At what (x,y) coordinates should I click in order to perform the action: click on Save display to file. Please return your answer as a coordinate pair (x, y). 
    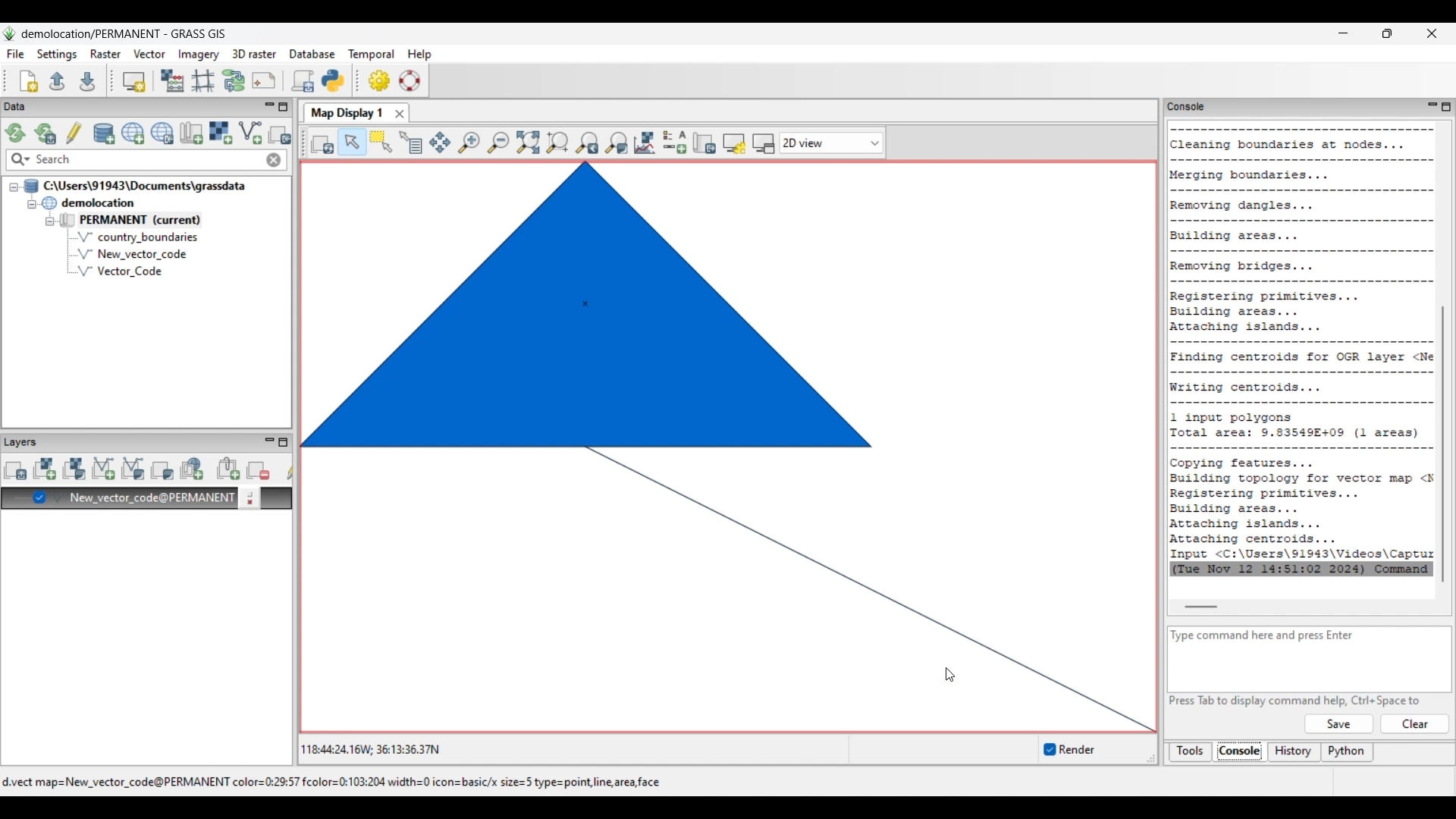
    Looking at the image, I should click on (704, 143).